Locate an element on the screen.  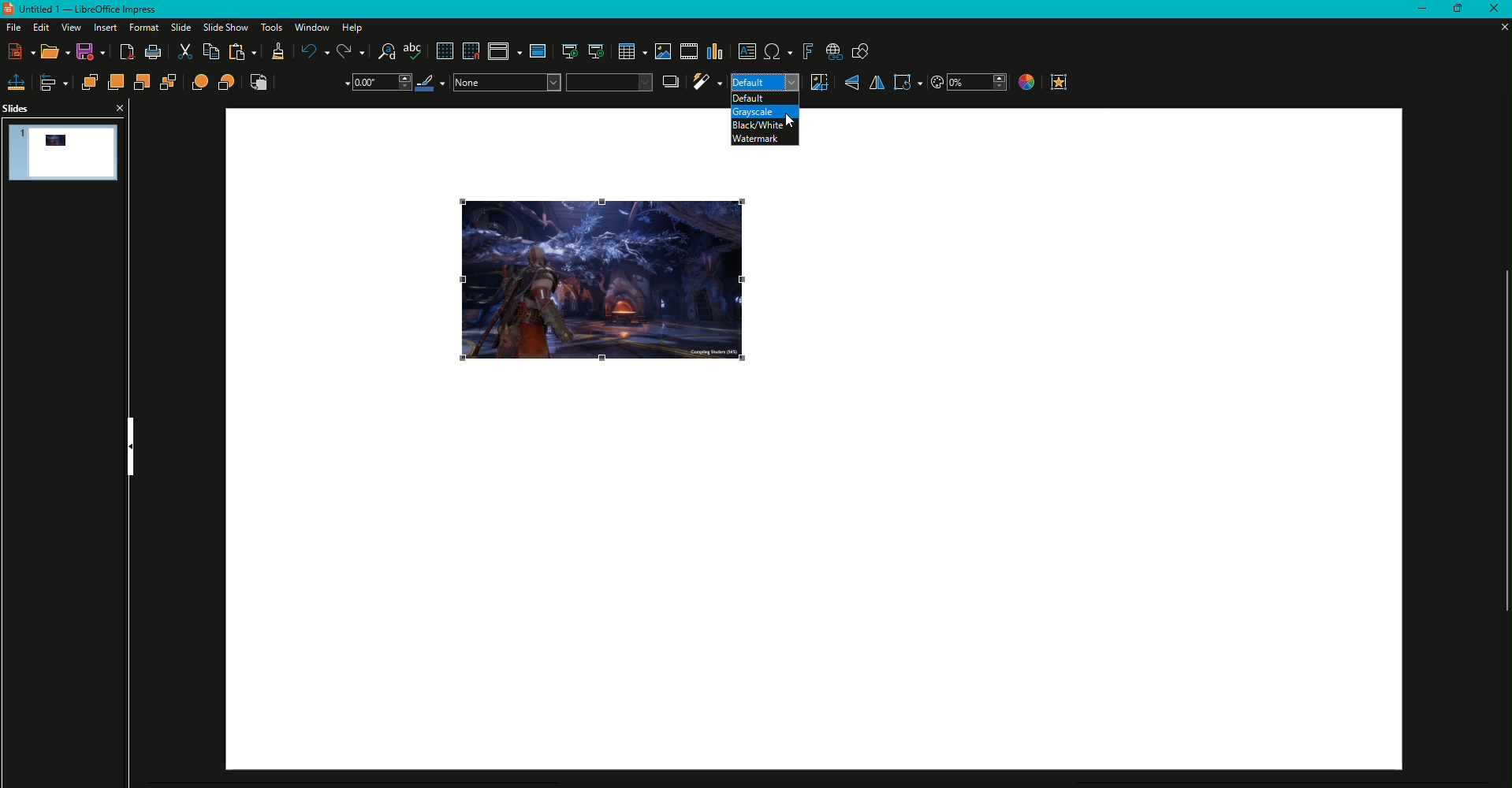
Print is located at coordinates (153, 53).